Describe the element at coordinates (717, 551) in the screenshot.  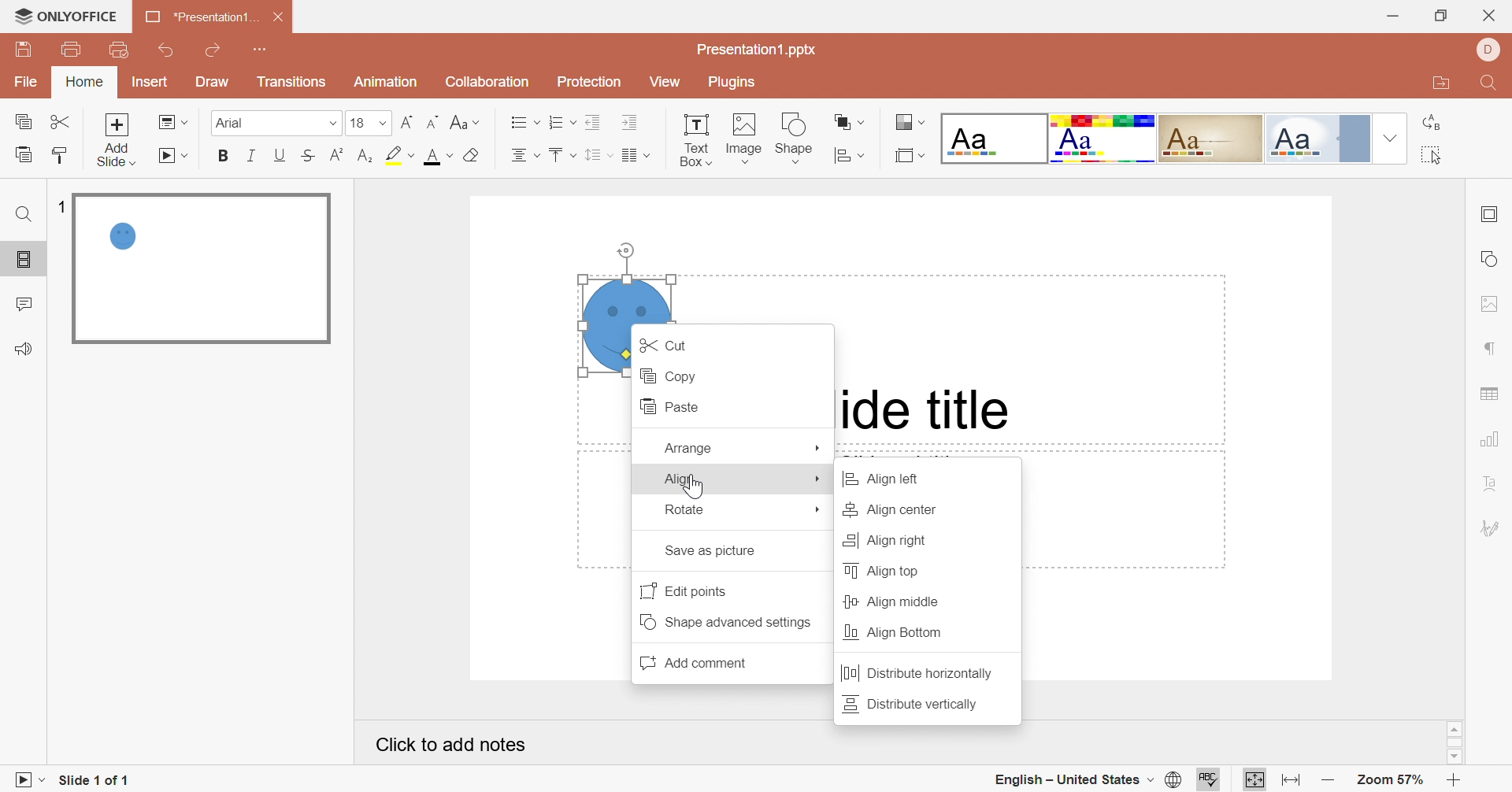
I see `Save as picture` at that location.